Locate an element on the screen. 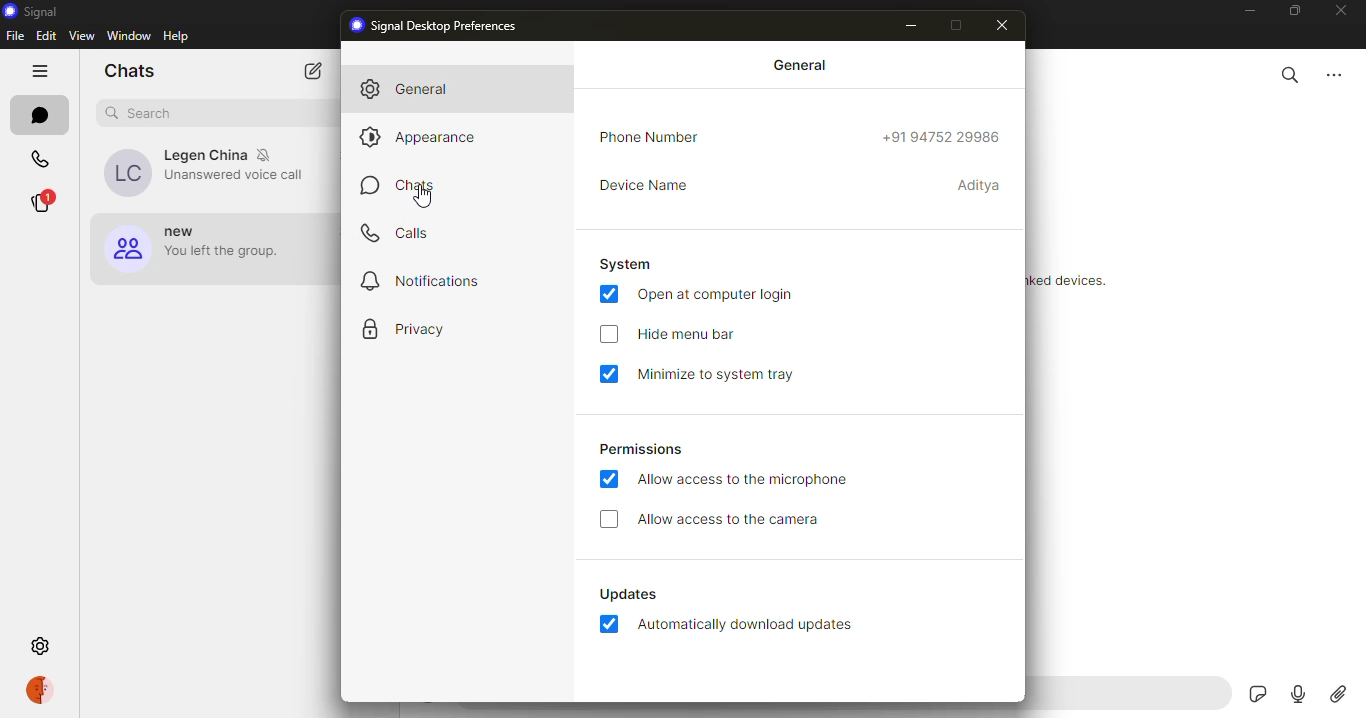 Image resolution: width=1366 pixels, height=718 pixels. hide menu bar is located at coordinates (684, 336).